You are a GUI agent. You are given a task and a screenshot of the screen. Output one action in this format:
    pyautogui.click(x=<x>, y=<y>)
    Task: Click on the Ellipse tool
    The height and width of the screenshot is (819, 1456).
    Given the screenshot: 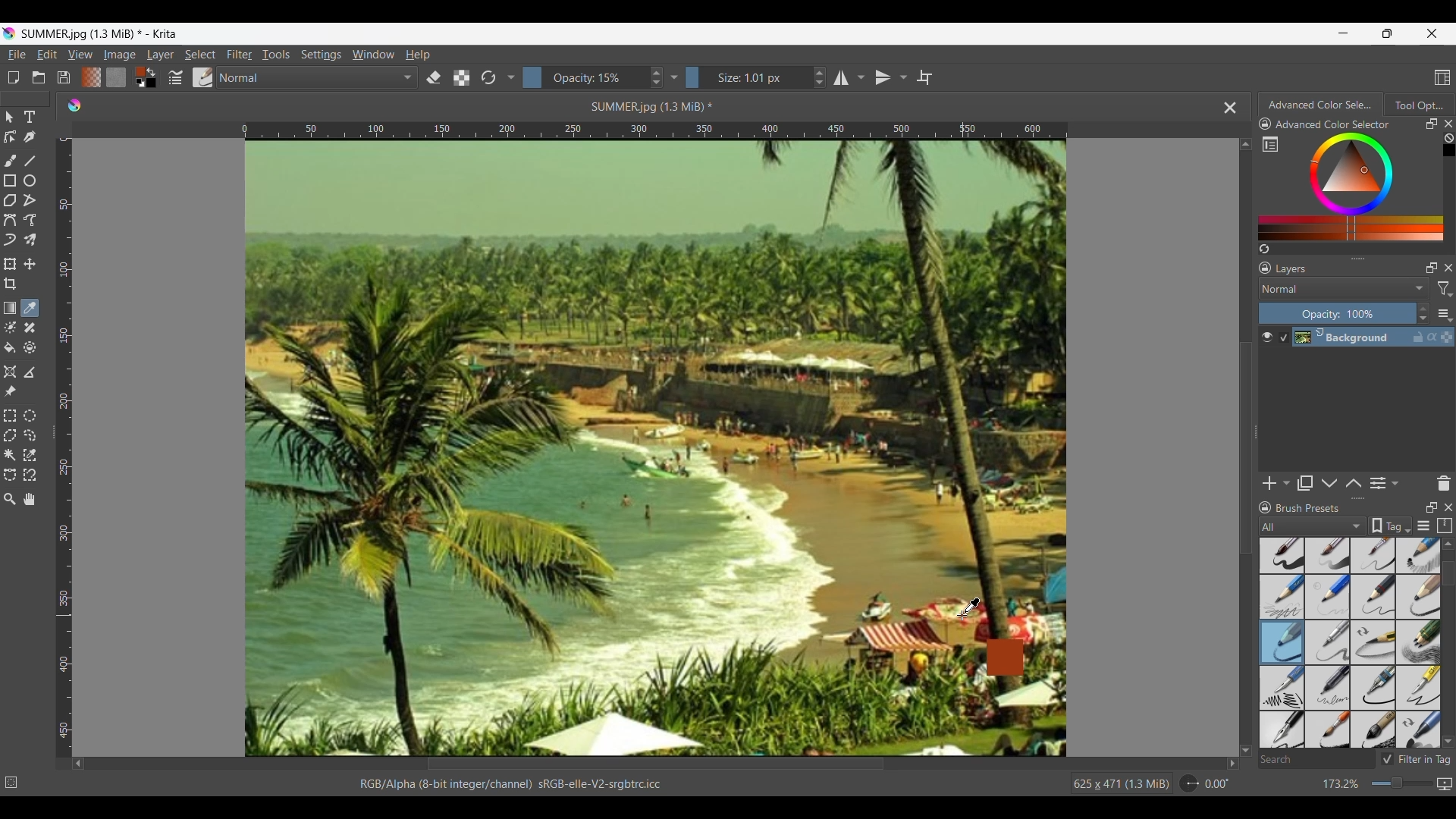 What is the action you would take?
    pyautogui.click(x=29, y=180)
    